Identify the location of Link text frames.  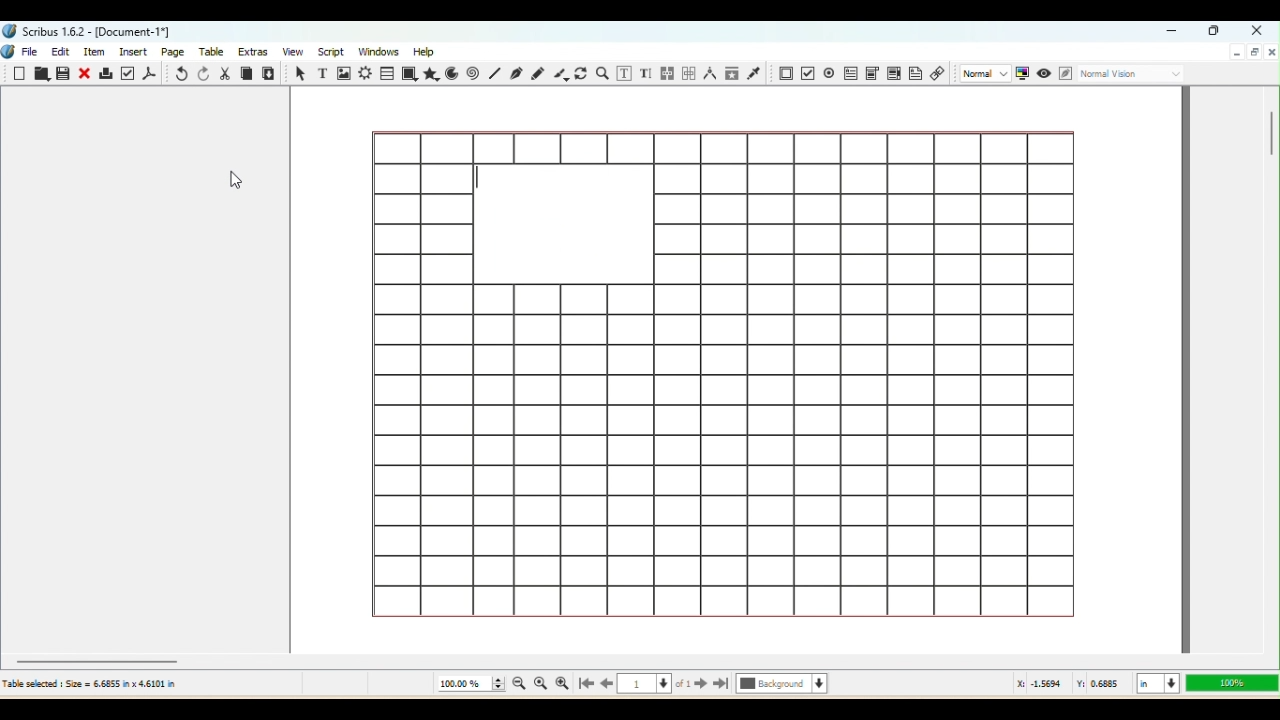
(666, 72).